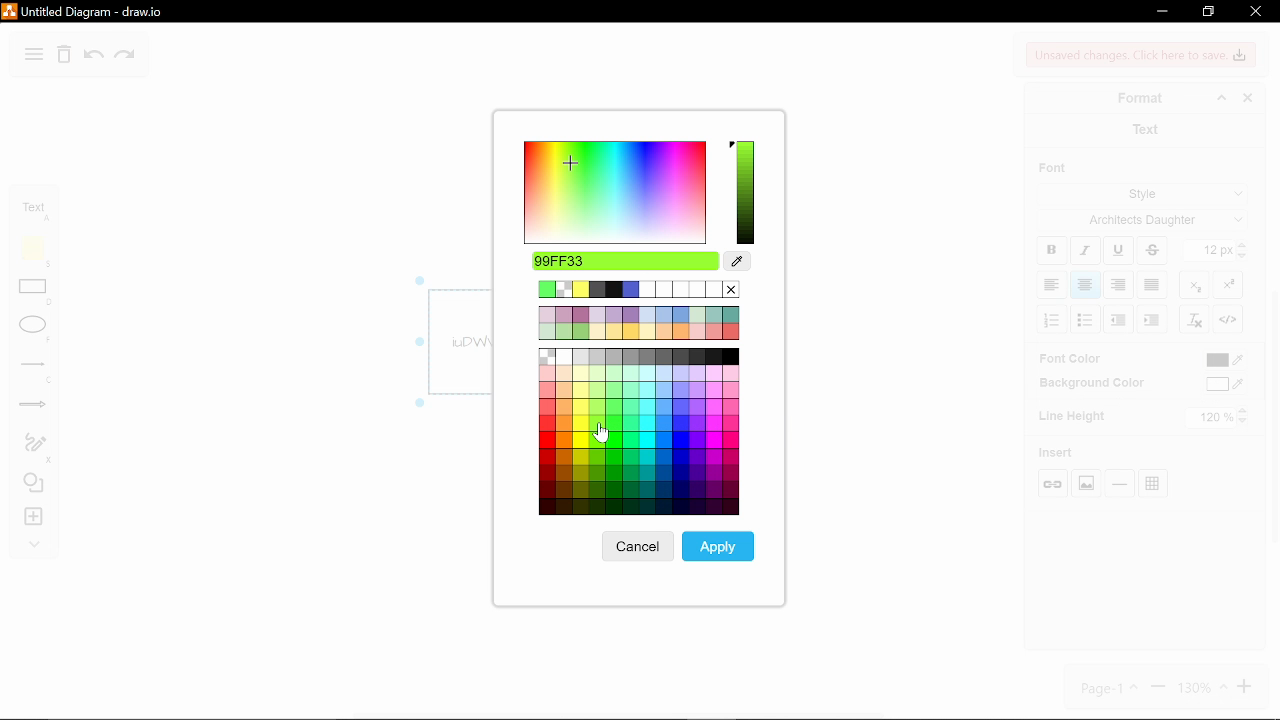 Image resolution: width=1280 pixels, height=720 pixels. What do you see at coordinates (30, 206) in the screenshot?
I see `text` at bounding box center [30, 206].